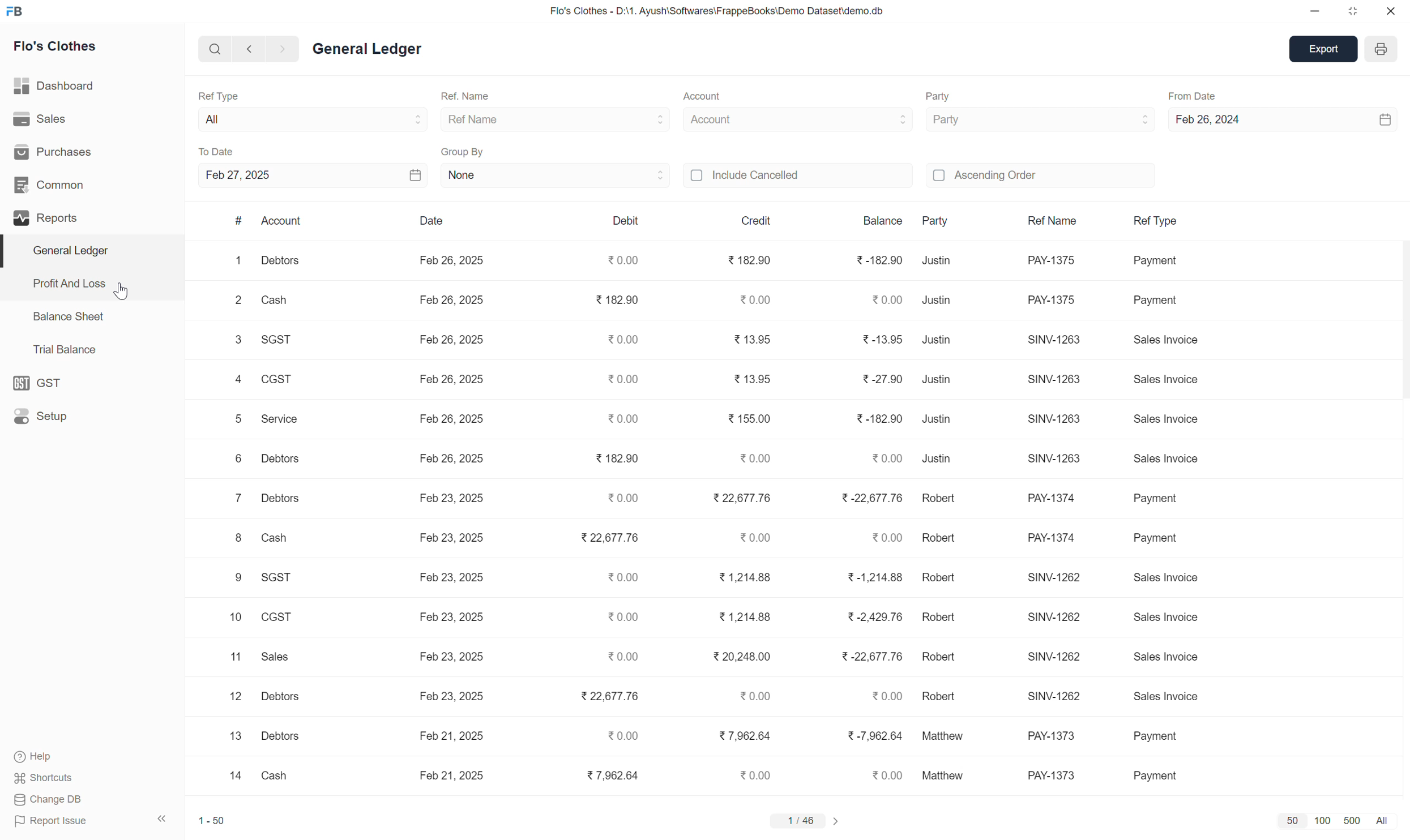 The height and width of the screenshot is (840, 1410). I want to click on All, so click(233, 122).